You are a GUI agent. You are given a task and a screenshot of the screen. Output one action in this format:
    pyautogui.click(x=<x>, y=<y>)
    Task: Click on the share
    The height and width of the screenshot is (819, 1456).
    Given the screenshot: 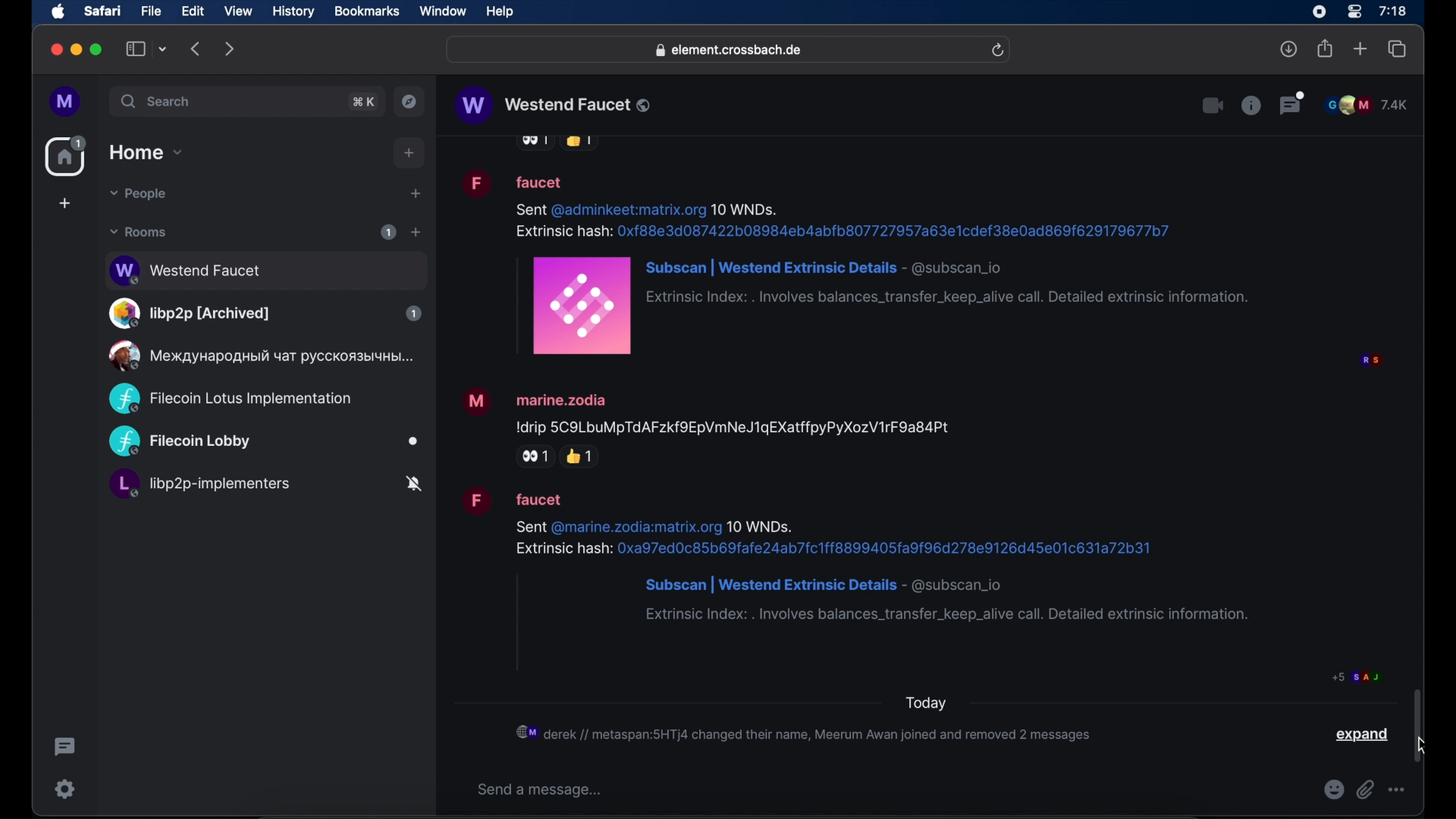 What is the action you would take?
    pyautogui.click(x=1326, y=49)
    